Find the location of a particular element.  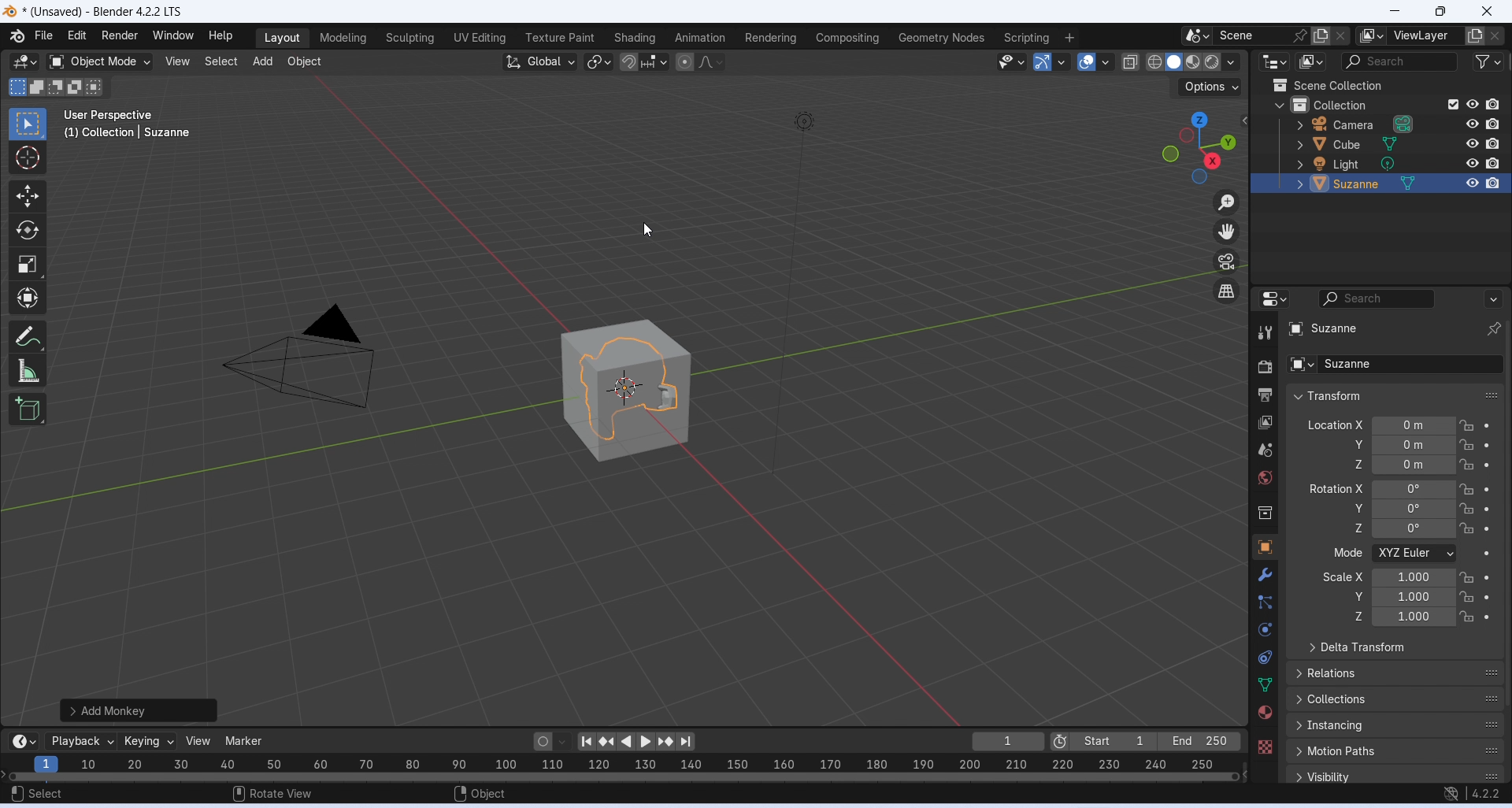

scene name is located at coordinates (1253, 35).